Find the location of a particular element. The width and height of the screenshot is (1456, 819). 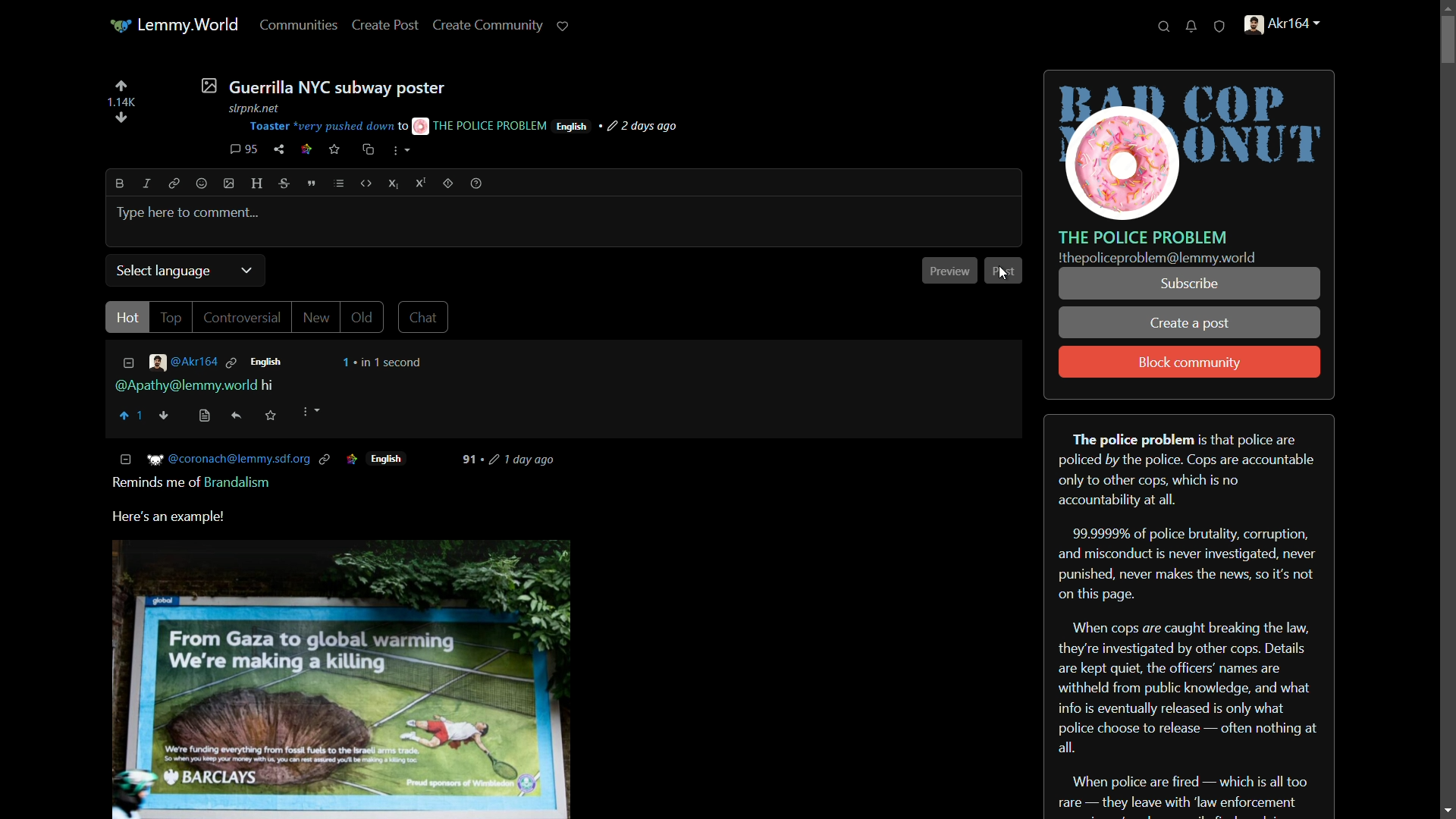

Hot is located at coordinates (127, 316).